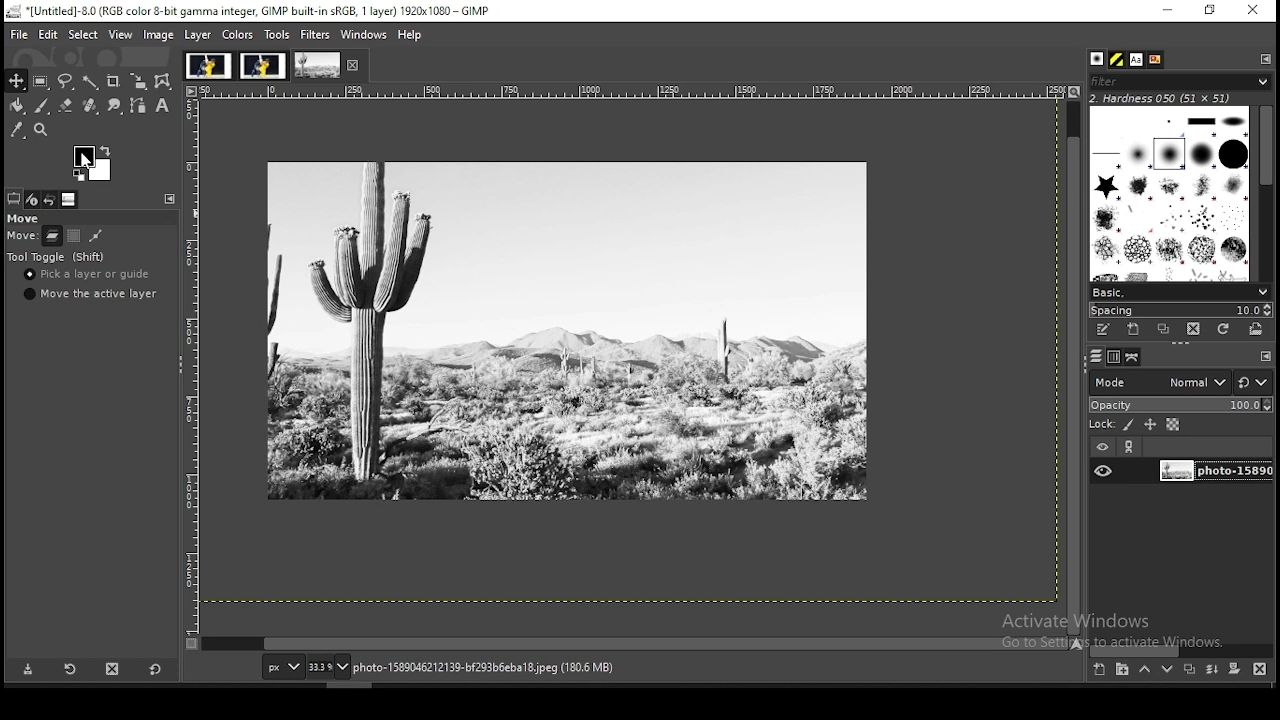 This screenshot has width=1280, height=720. What do you see at coordinates (262, 65) in the screenshot?
I see `image` at bounding box center [262, 65].